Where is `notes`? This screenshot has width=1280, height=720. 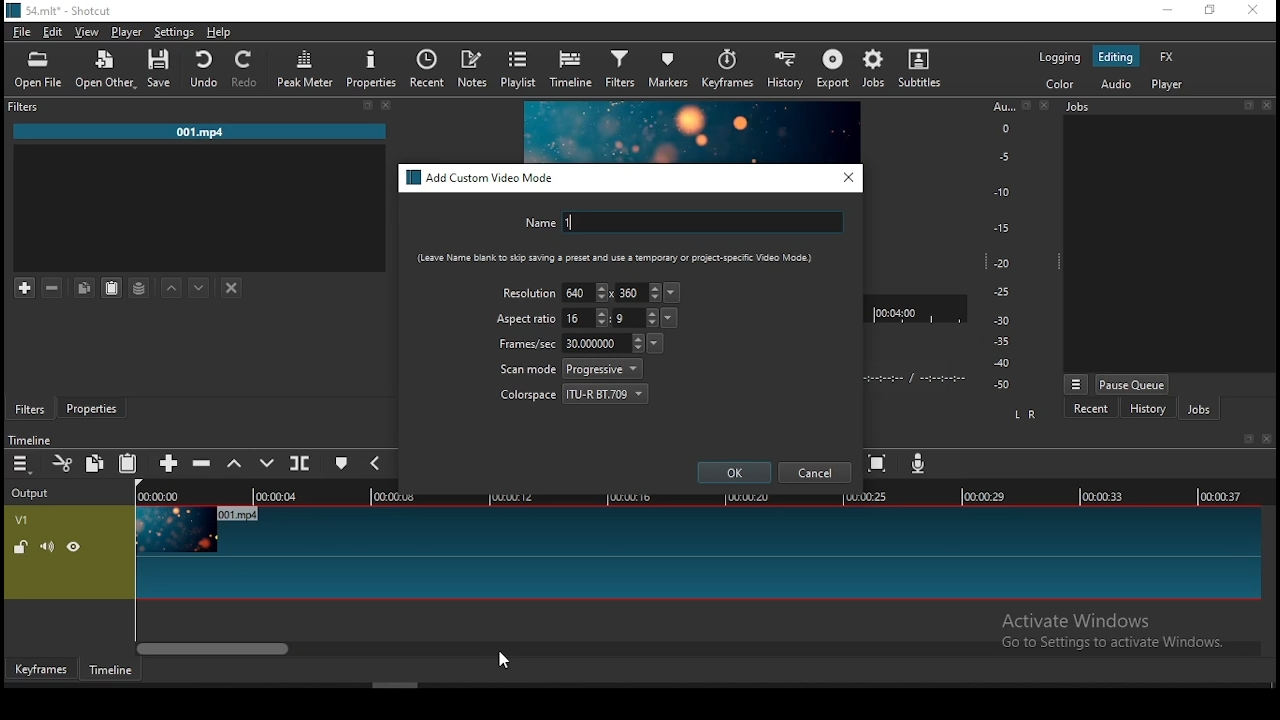 notes is located at coordinates (472, 69).